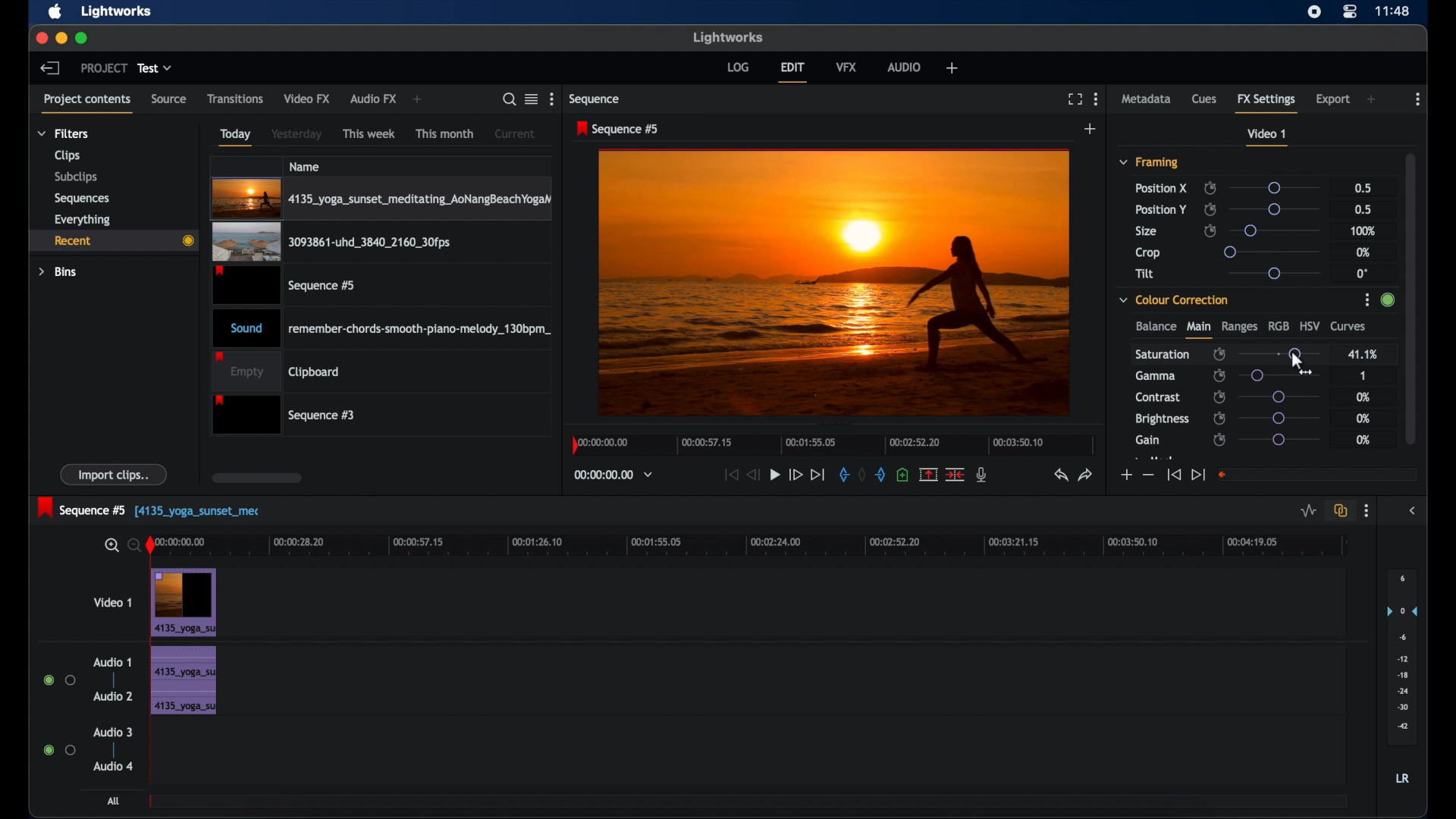 This screenshot has width=1456, height=819. Describe the element at coordinates (1369, 301) in the screenshot. I see `More Options` at that location.